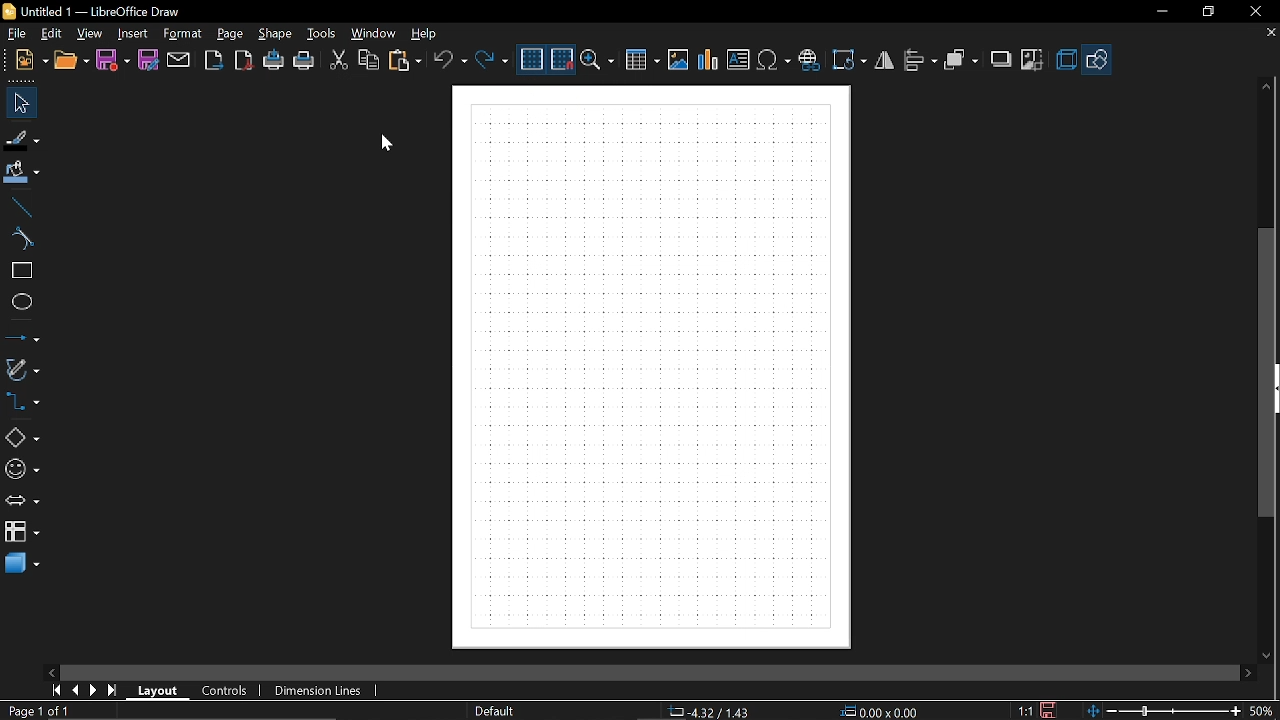 The height and width of the screenshot is (720, 1280). What do you see at coordinates (1264, 710) in the screenshot?
I see `zoom changes` at bounding box center [1264, 710].